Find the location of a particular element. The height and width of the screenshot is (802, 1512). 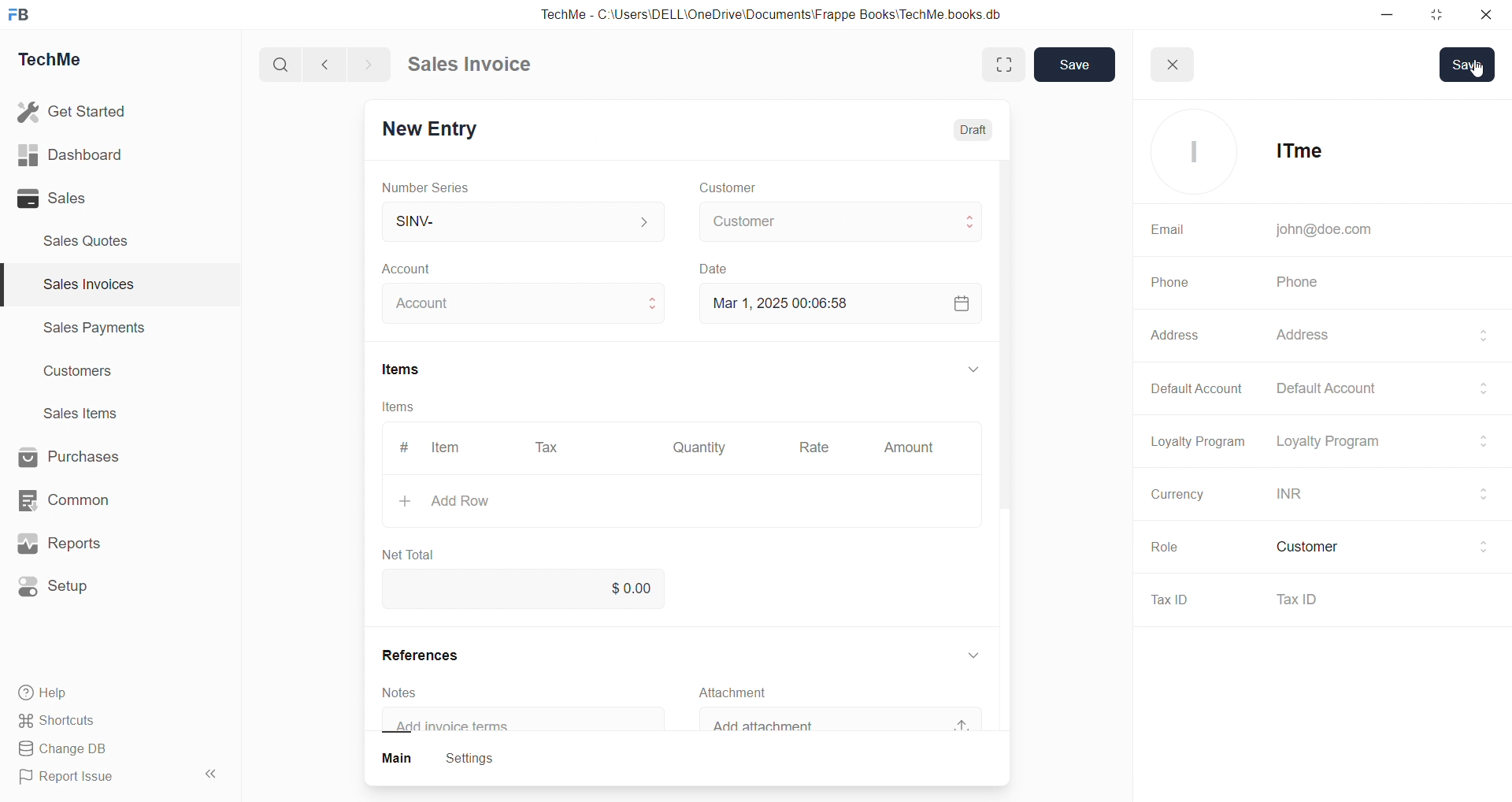

Customer is located at coordinates (754, 186).